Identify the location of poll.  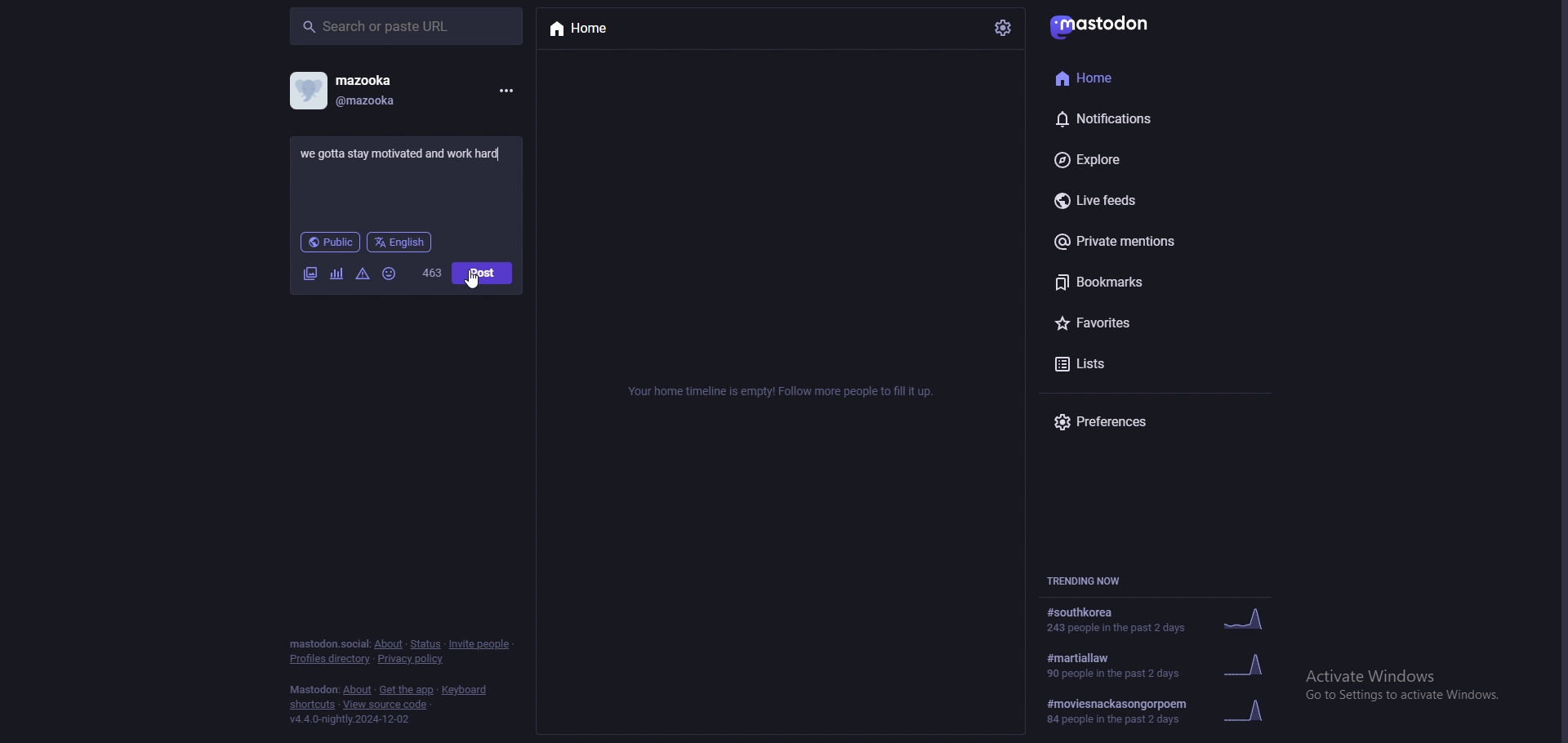
(336, 274).